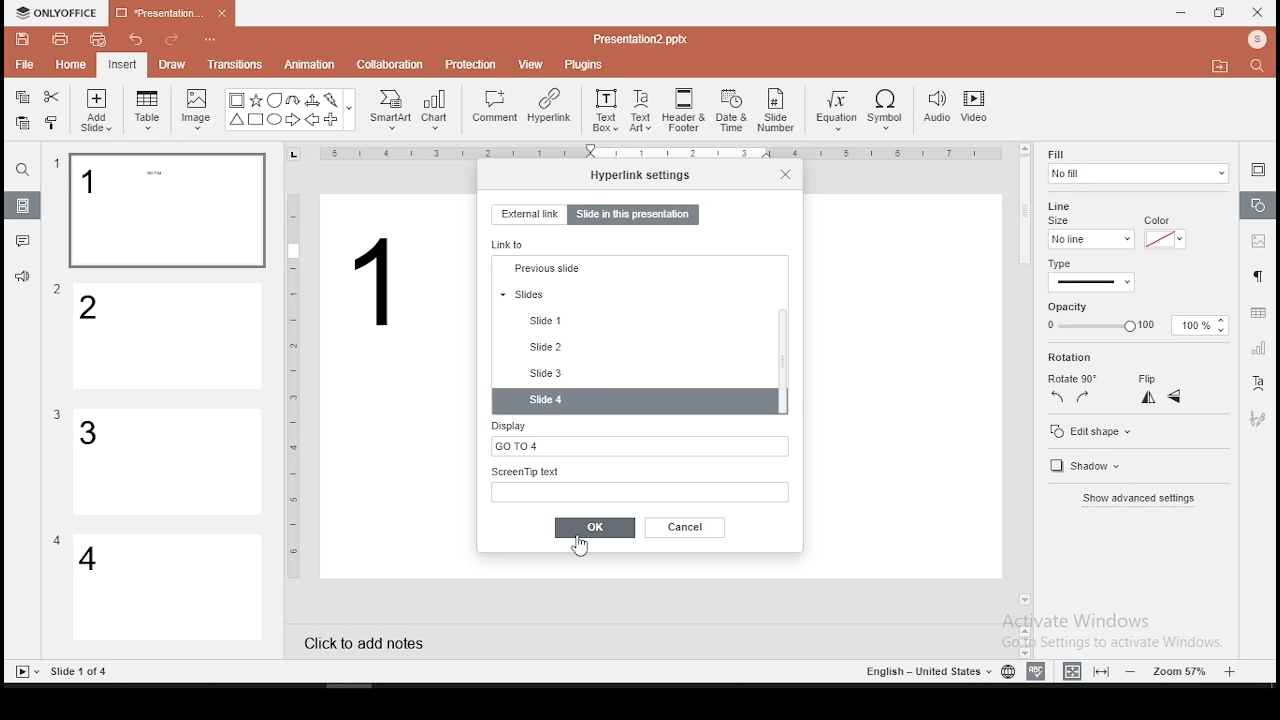 Image resolution: width=1280 pixels, height=720 pixels. Describe the element at coordinates (168, 589) in the screenshot. I see `slide 4` at that location.